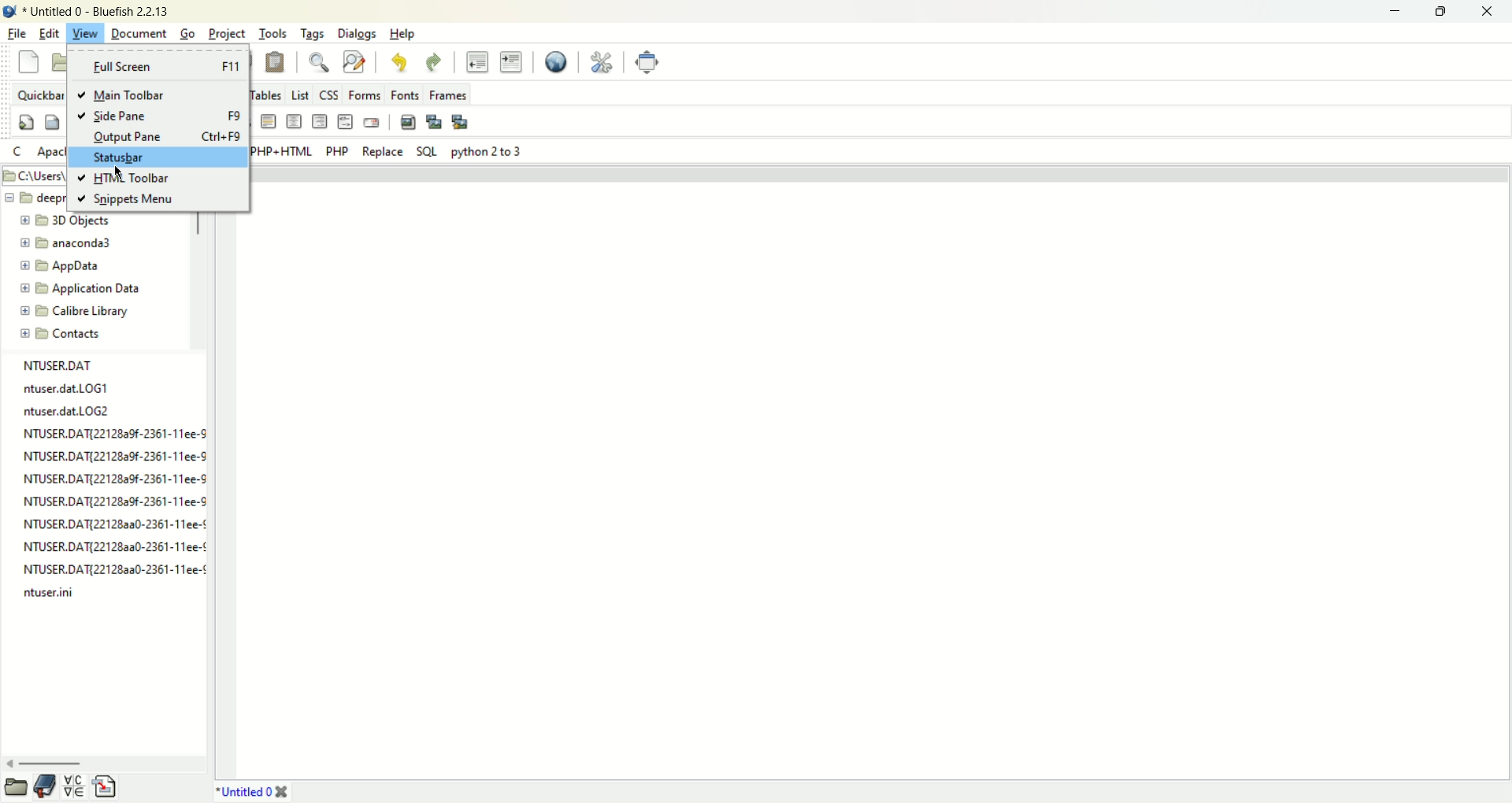 The height and width of the screenshot is (803, 1512). Describe the element at coordinates (406, 123) in the screenshot. I see `insert image` at that location.